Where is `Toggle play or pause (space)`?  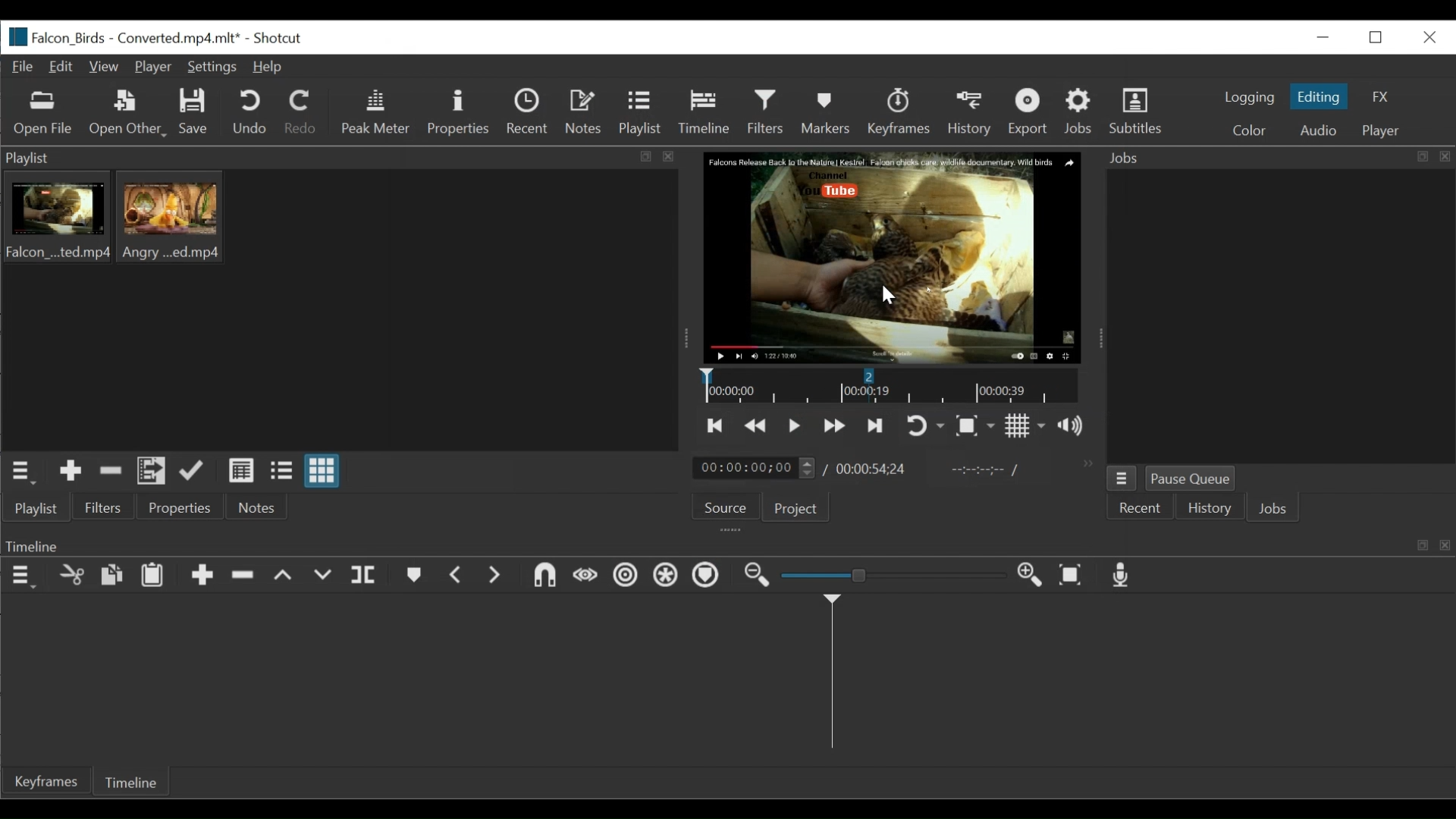 Toggle play or pause (space) is located at coordinates (795, 426).